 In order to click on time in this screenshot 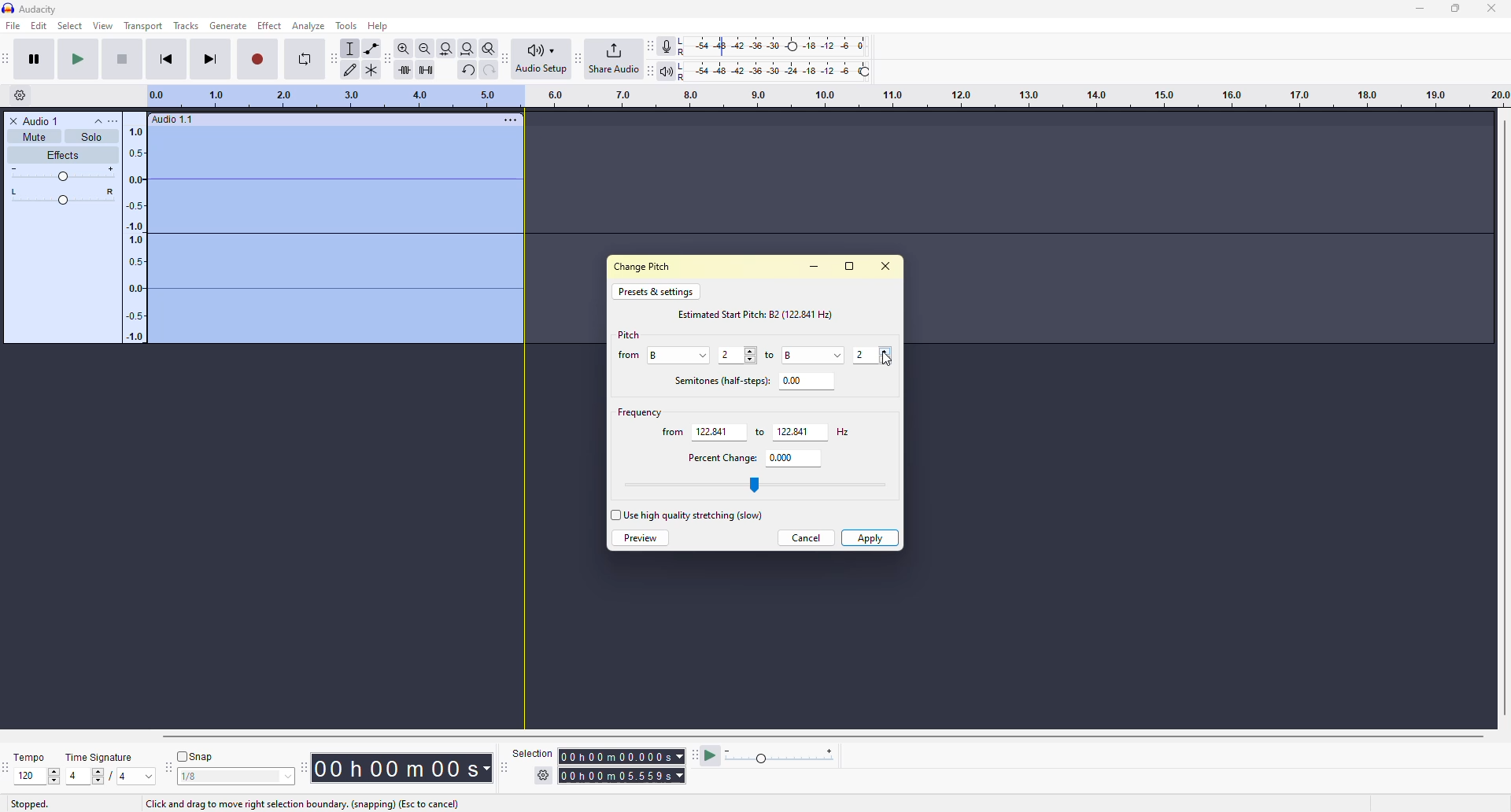, I will do `click(408, 767)`.